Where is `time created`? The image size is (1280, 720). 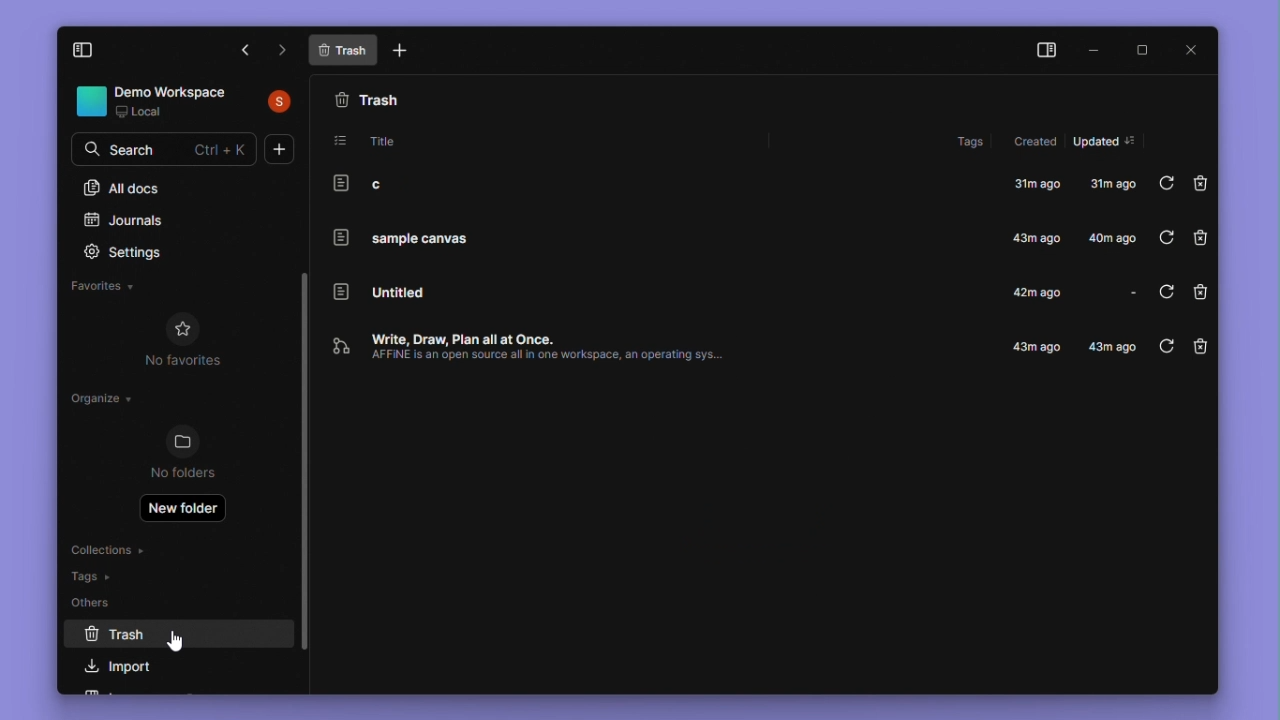
time created is located at coordinates (1039, 239).